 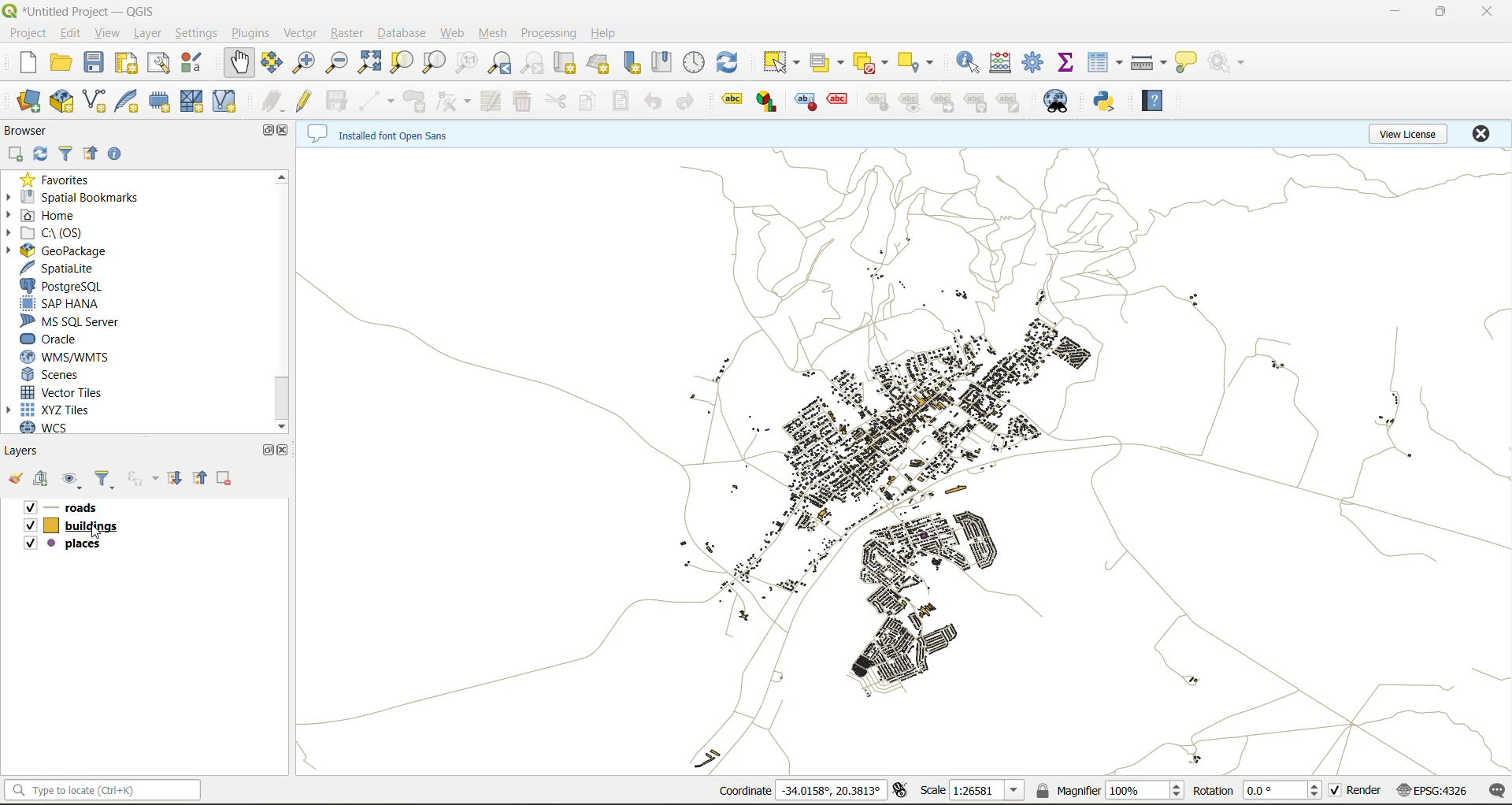 What do you see at coordinates (70, 374) in the screenshot?
I see `scenes` at bounding box center [70, 374].